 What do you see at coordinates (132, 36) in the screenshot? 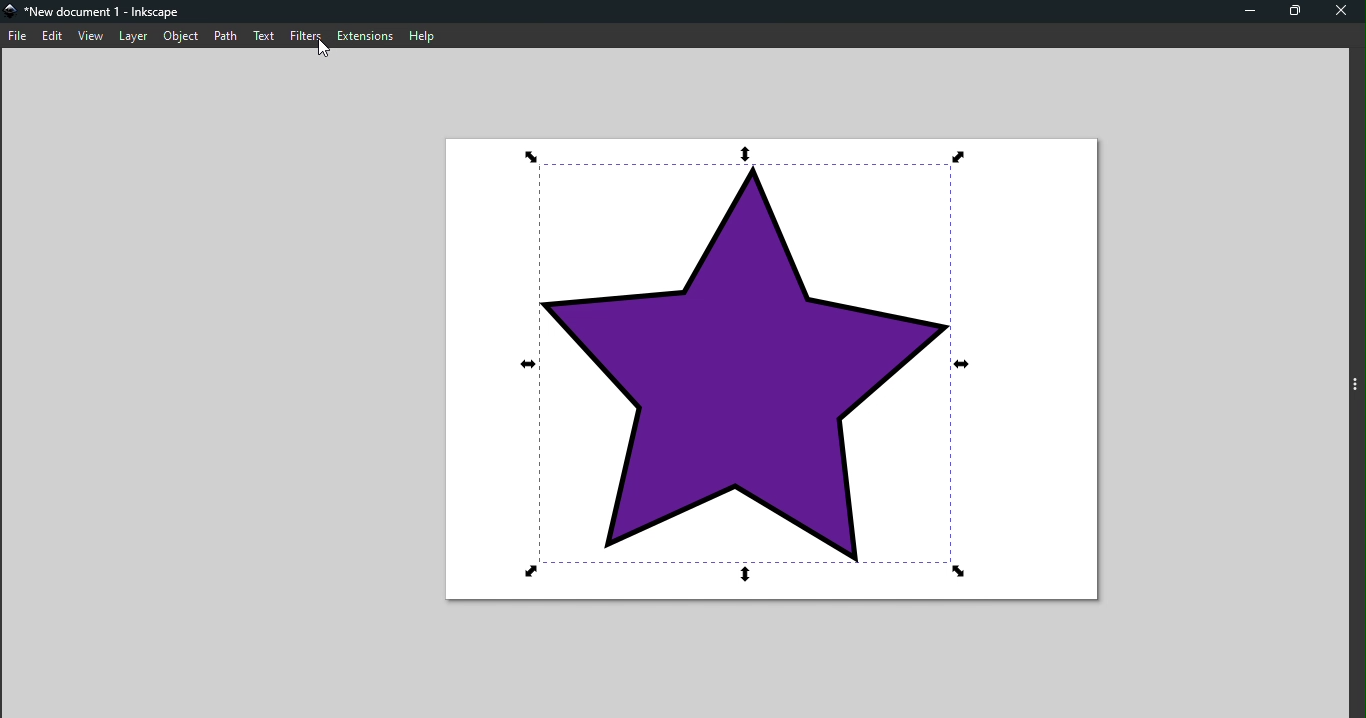
I see `Layer` at bounding box center [132, 36].